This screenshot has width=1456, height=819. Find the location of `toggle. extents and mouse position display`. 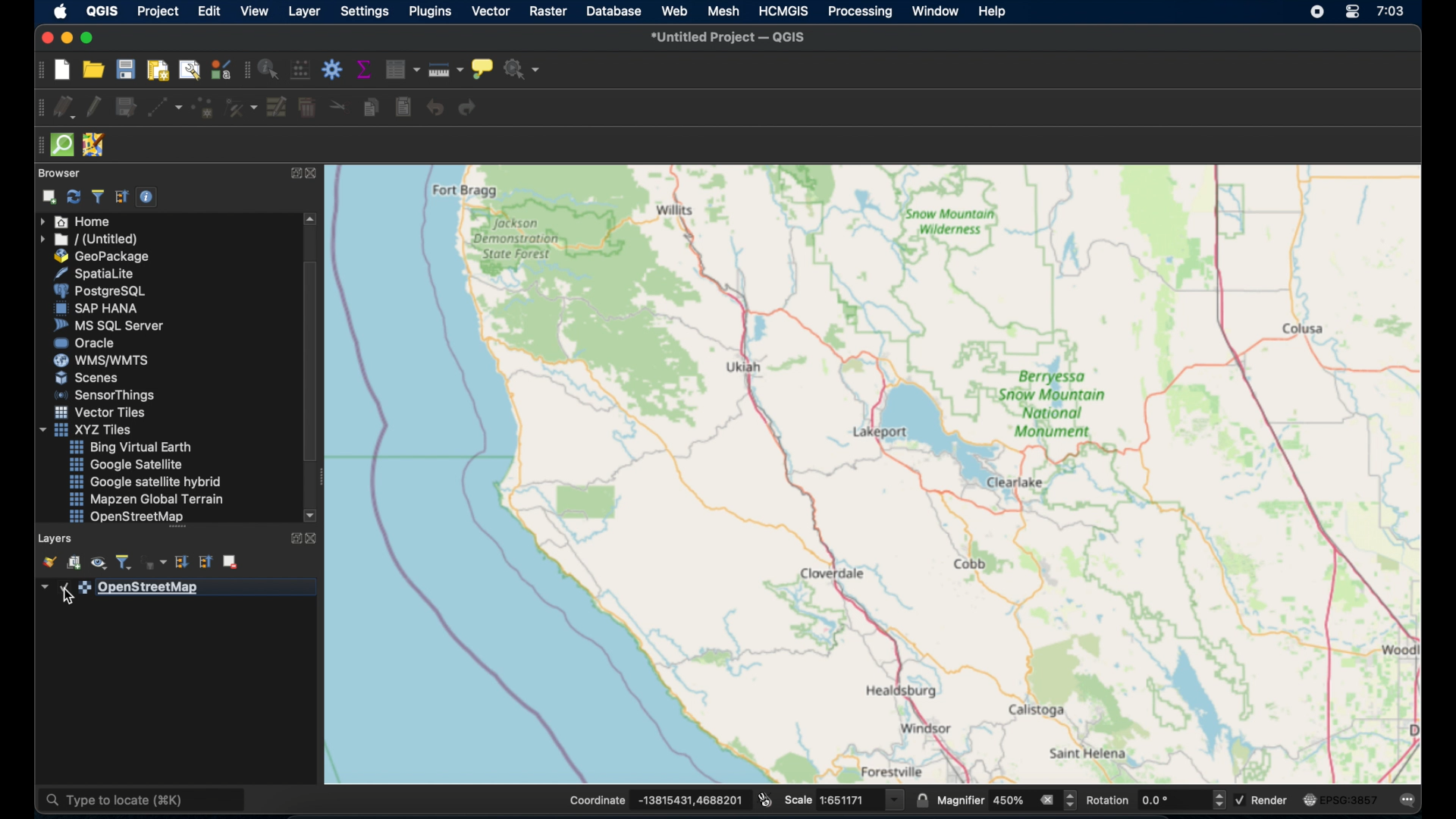

toggle. extents and mouse position display is located at coordinates (764, 799).